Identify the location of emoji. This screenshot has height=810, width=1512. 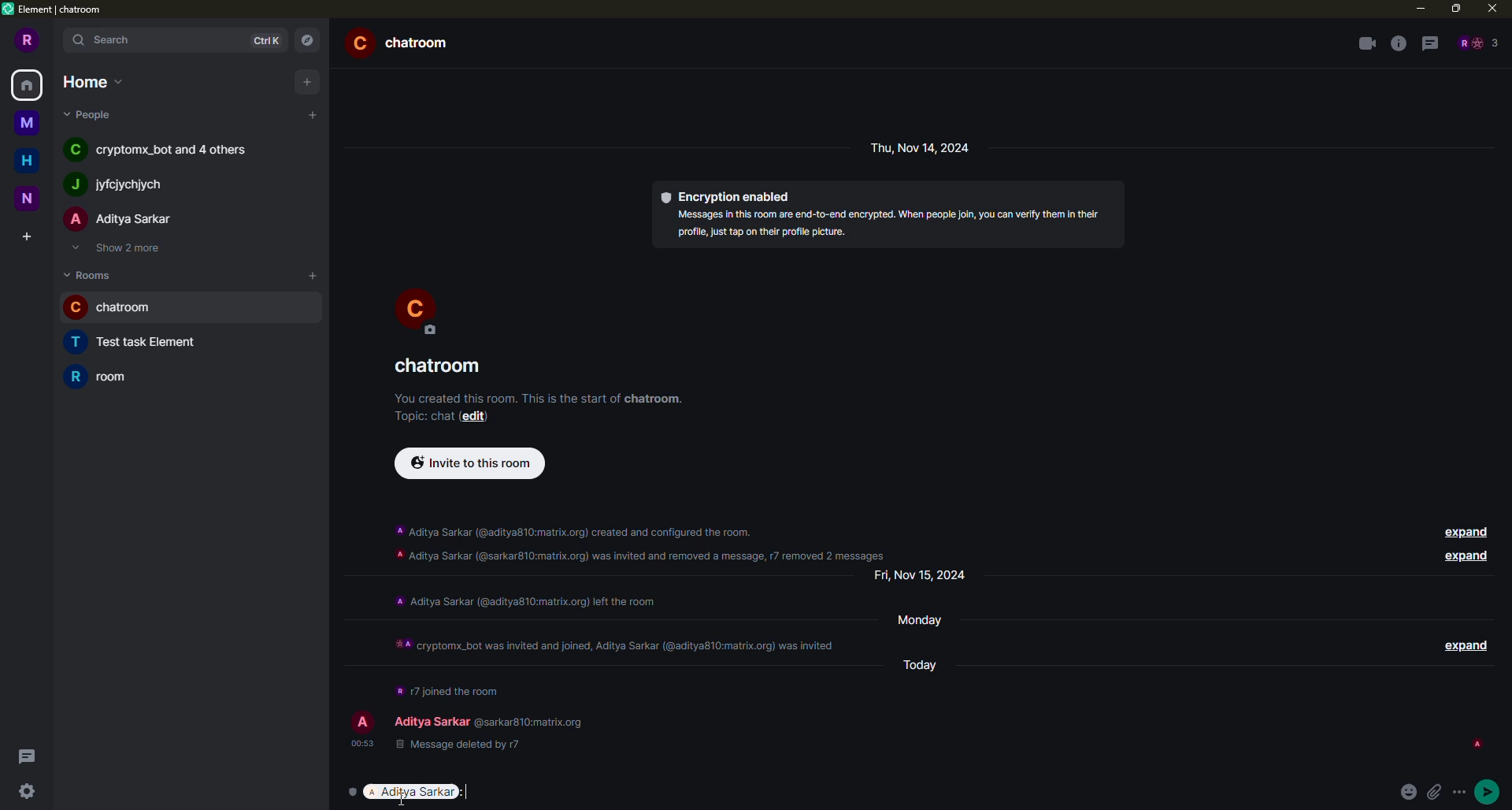
(1410, 792).